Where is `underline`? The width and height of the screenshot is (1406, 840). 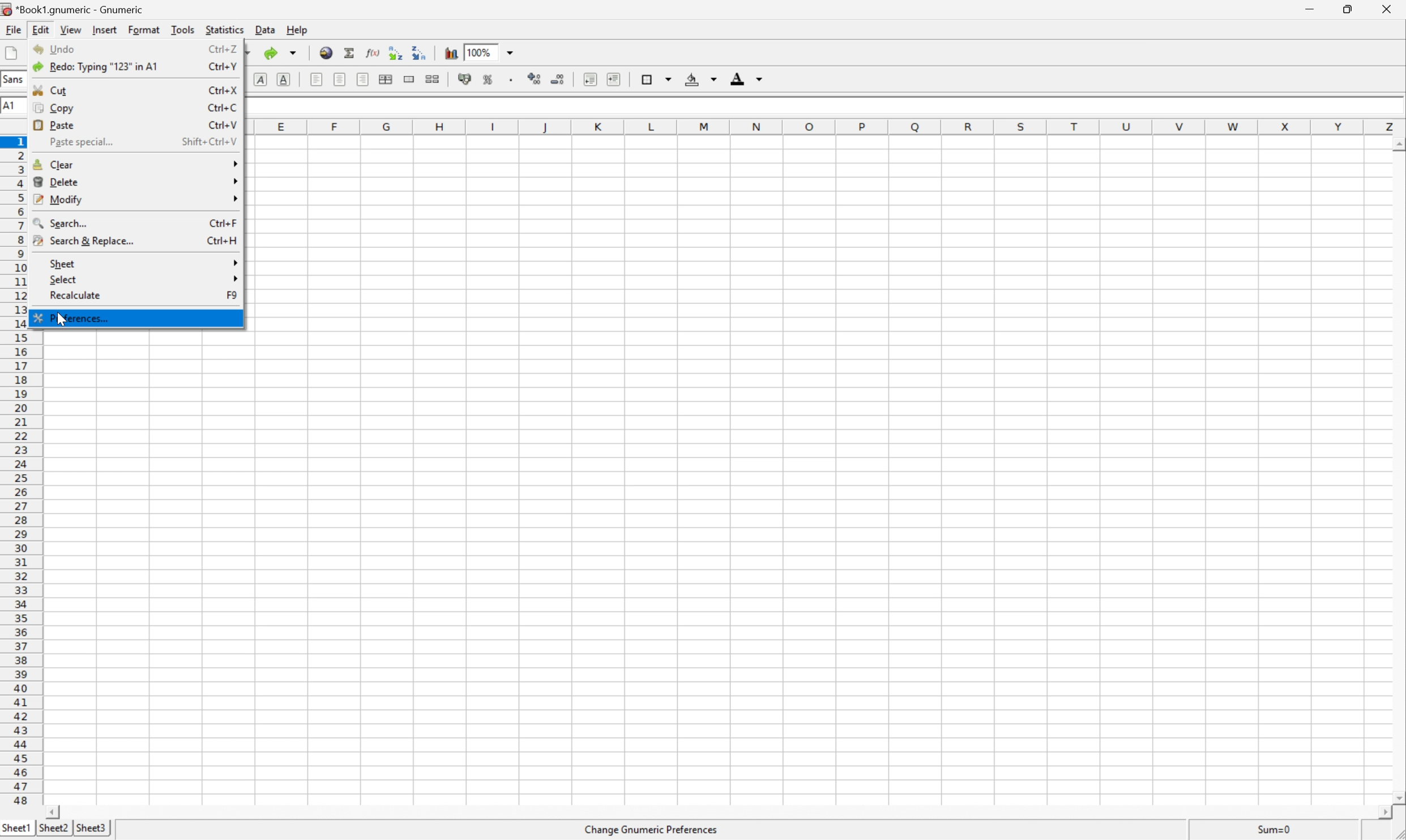
underline is located at coordinates (283, 79).